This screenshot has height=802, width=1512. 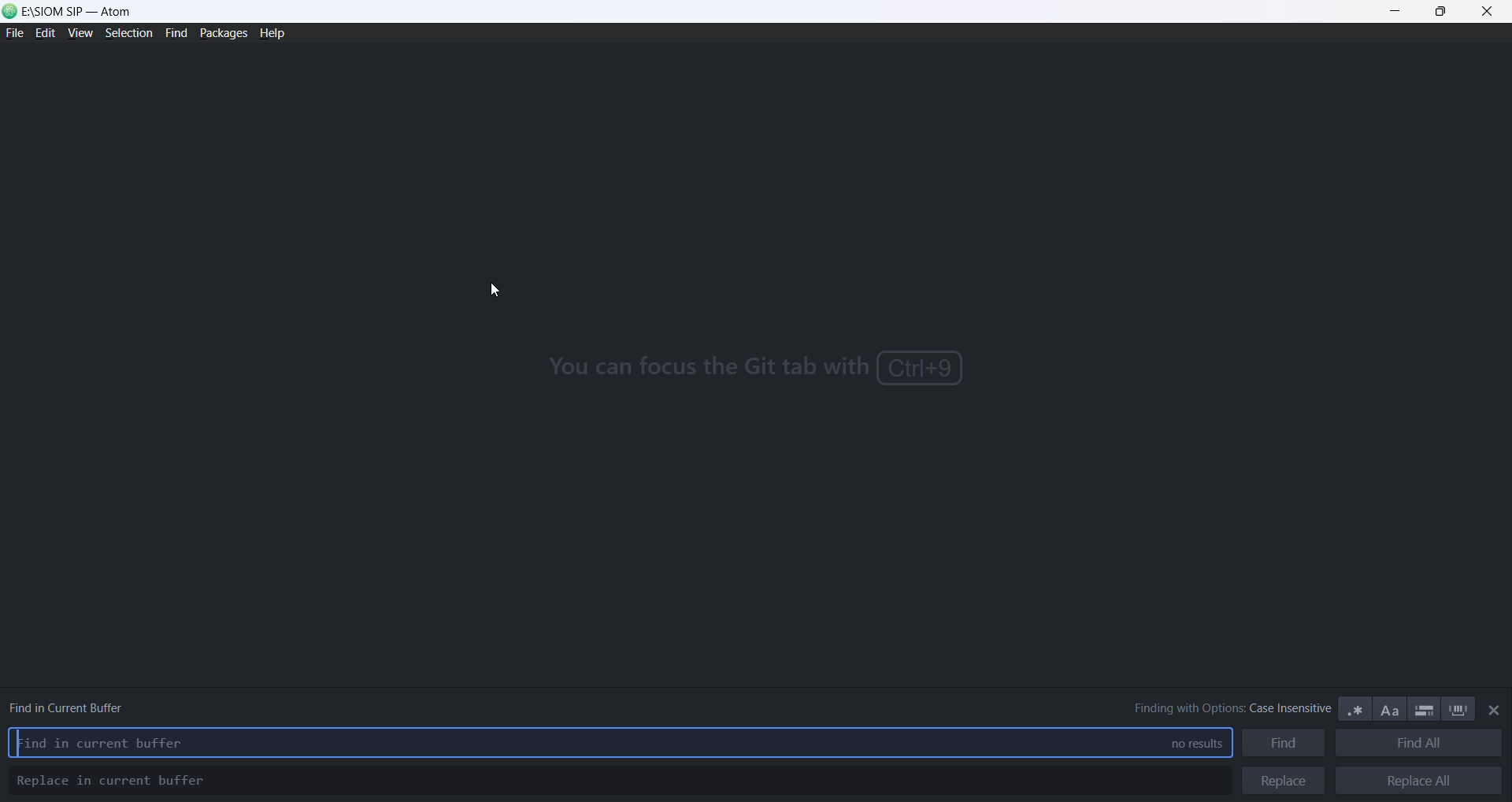 What do you see at coordinates (1418, 781) in the screenshot?
I see `replace all` at bounding box center [1418, 781].